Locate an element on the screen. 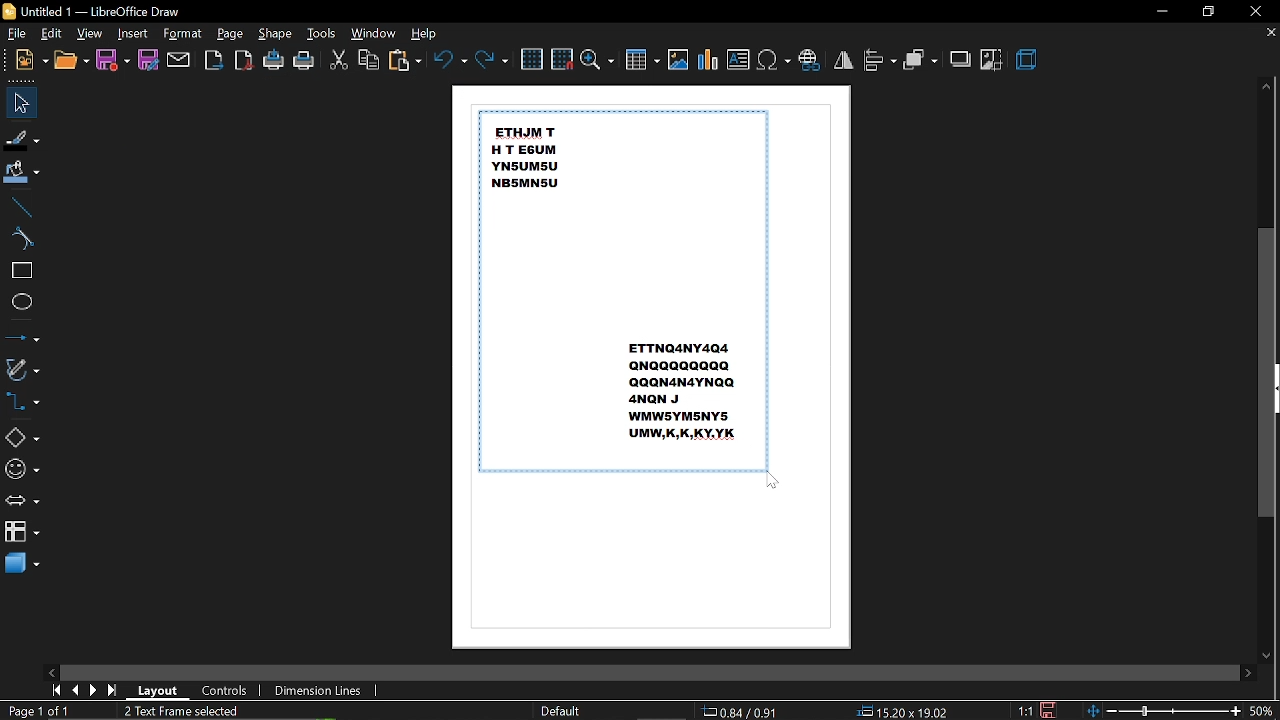 The image size is (1280, 720). redo is located at coordinates (493, 60).